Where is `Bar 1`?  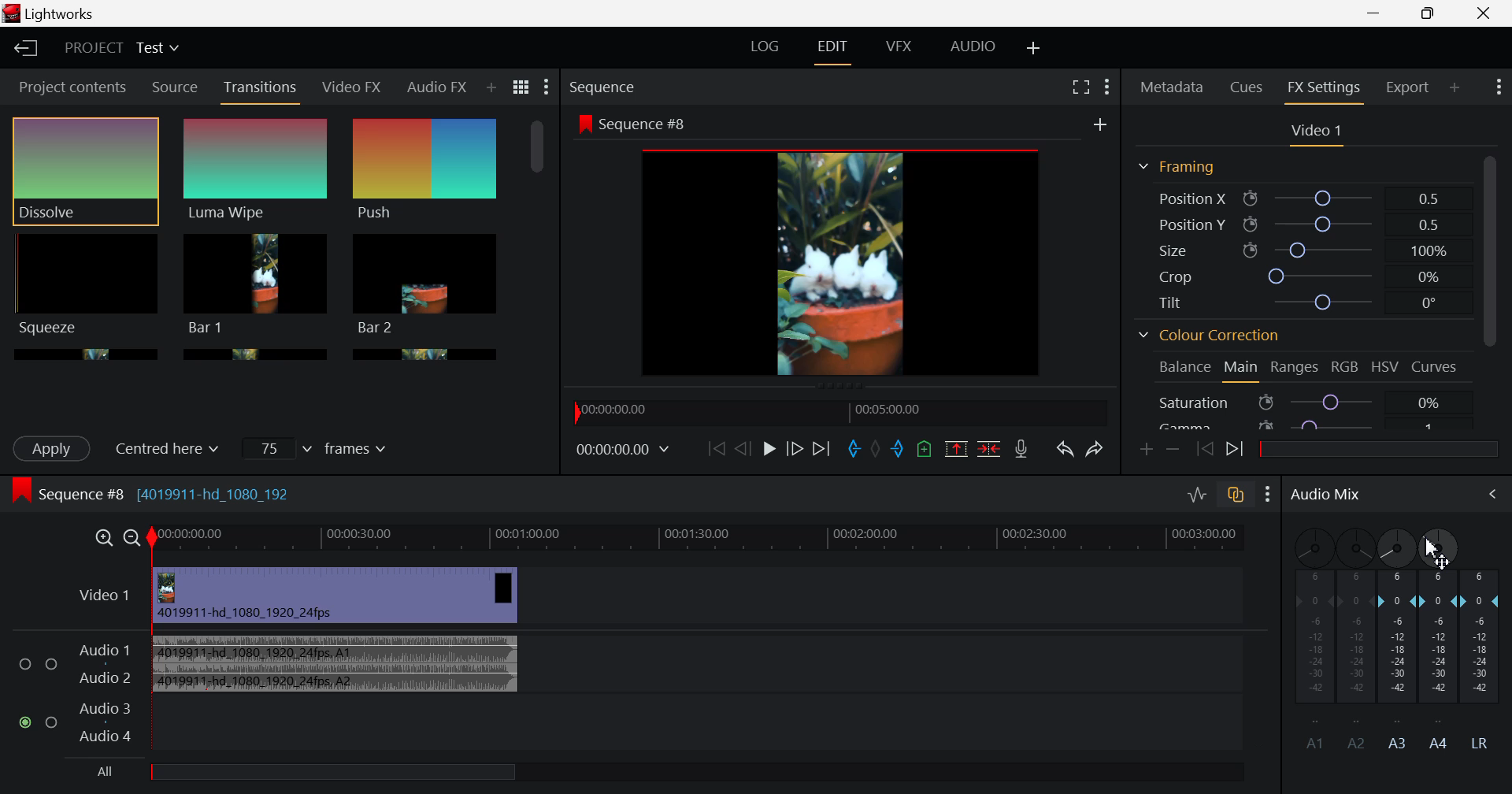
Bar 1 is located at coordinates (425, 284).